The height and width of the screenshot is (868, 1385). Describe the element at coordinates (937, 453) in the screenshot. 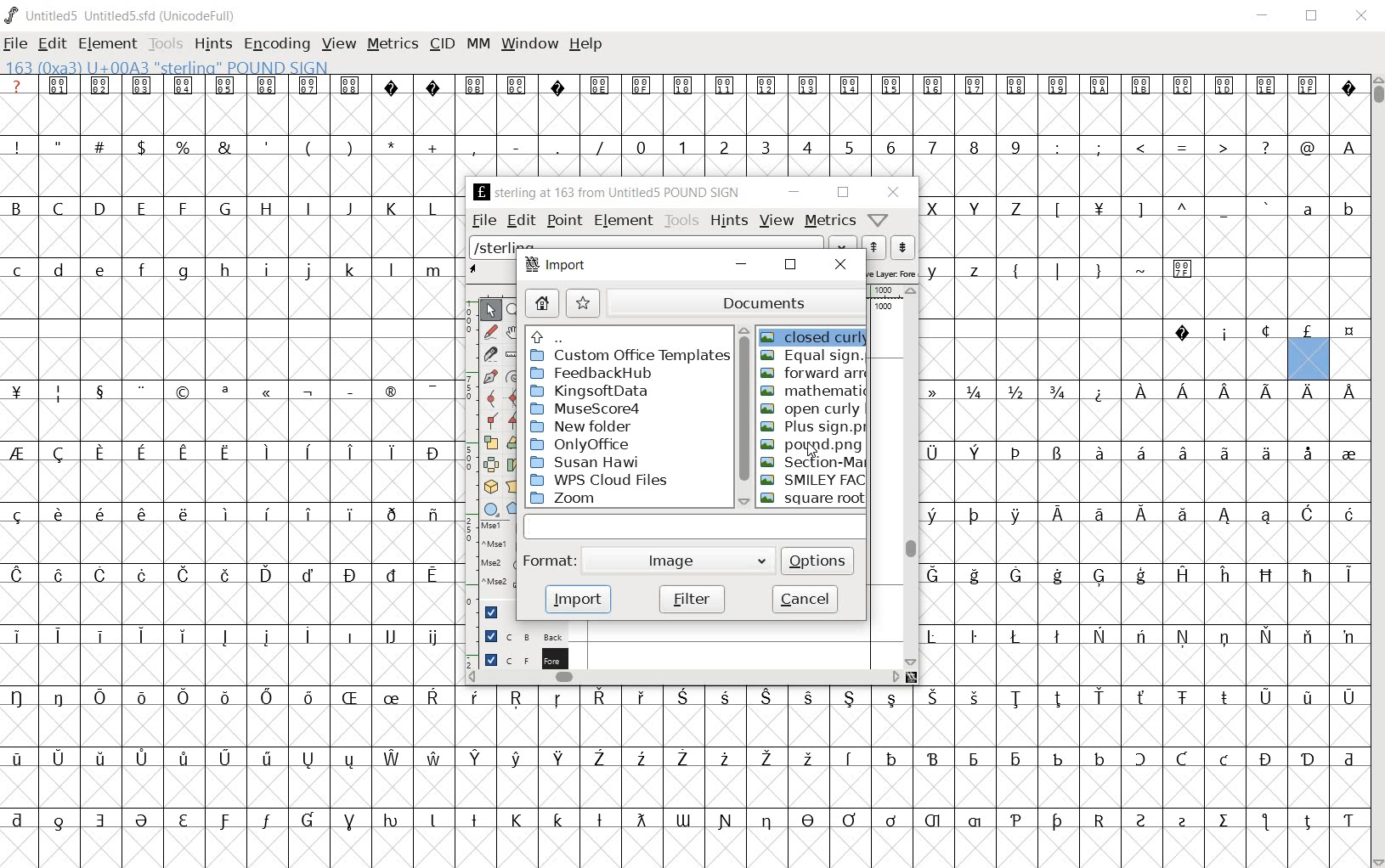

I see `Symbol` at that location.